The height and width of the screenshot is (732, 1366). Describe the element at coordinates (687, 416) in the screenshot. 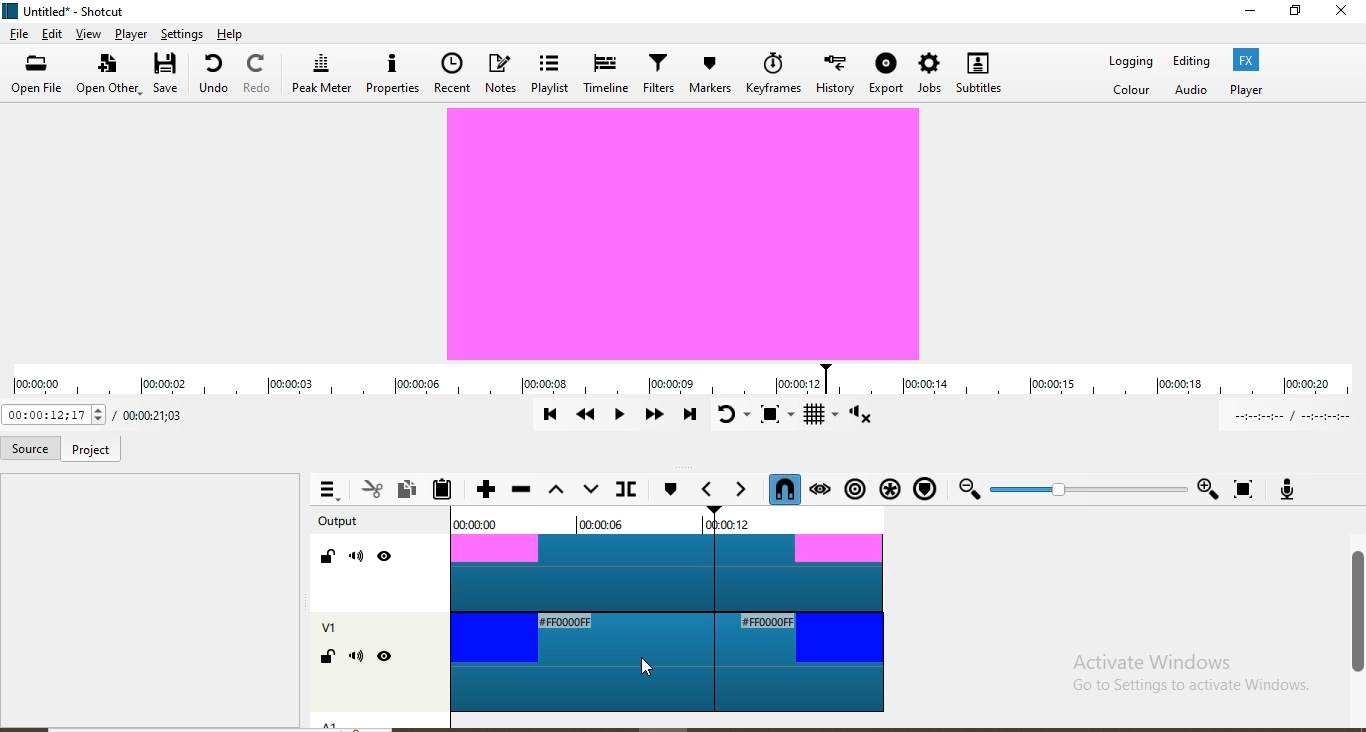

I see `Skip to the next point ` at that location.